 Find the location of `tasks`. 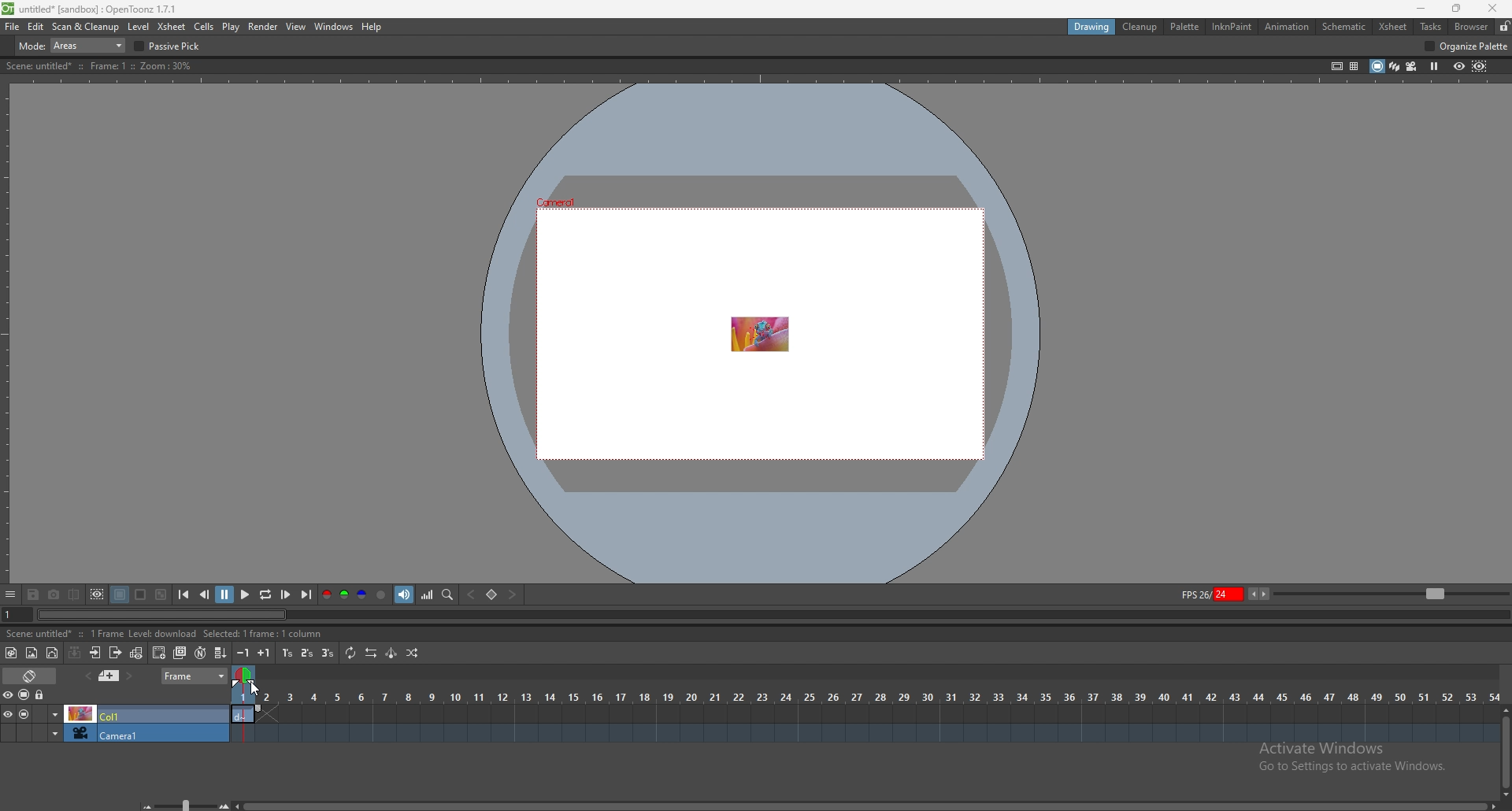

tasks is located at coordinates (1430, 26).